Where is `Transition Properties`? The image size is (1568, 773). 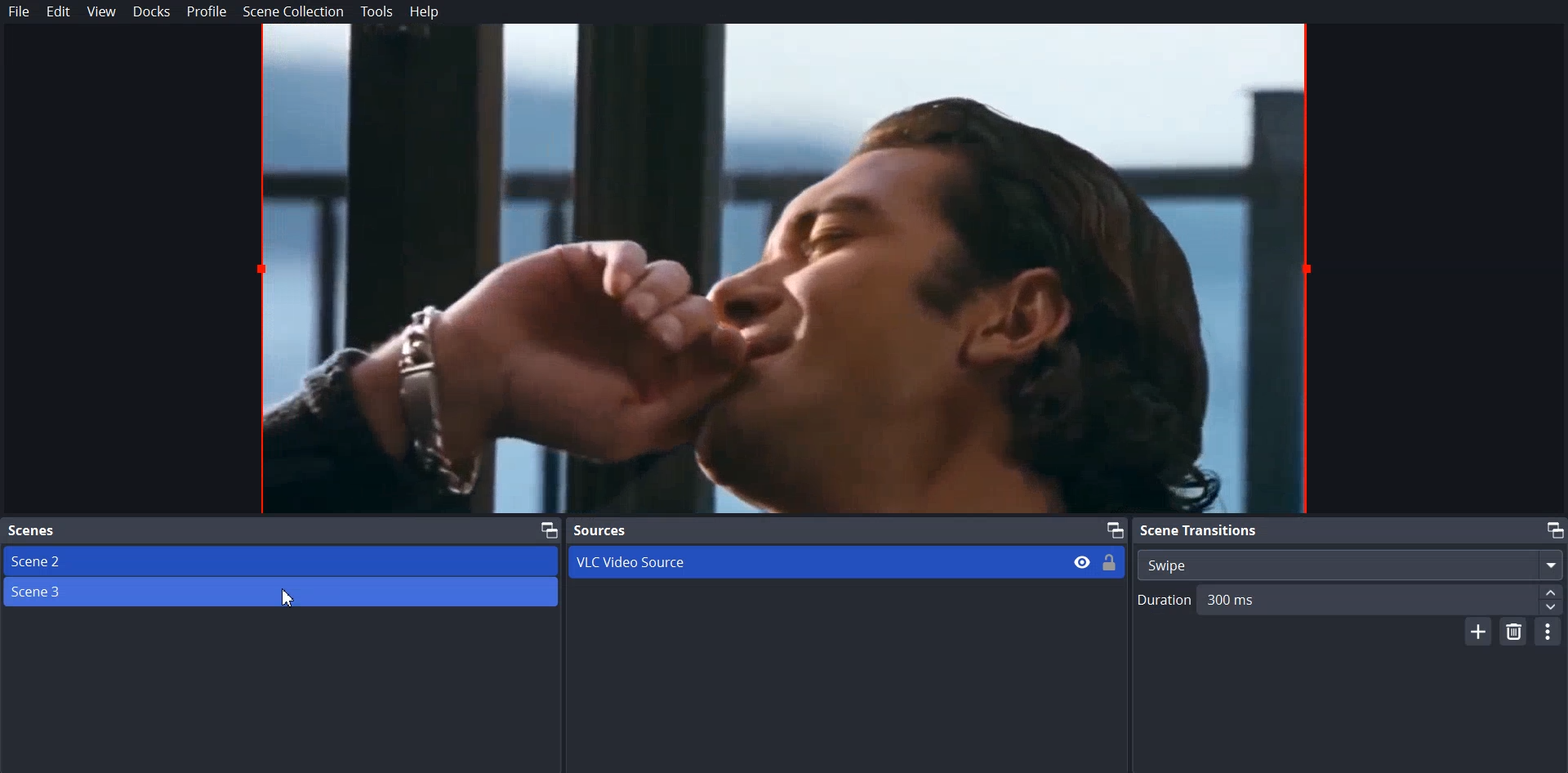 Transition Properties is located at coordinates (1552, 632).